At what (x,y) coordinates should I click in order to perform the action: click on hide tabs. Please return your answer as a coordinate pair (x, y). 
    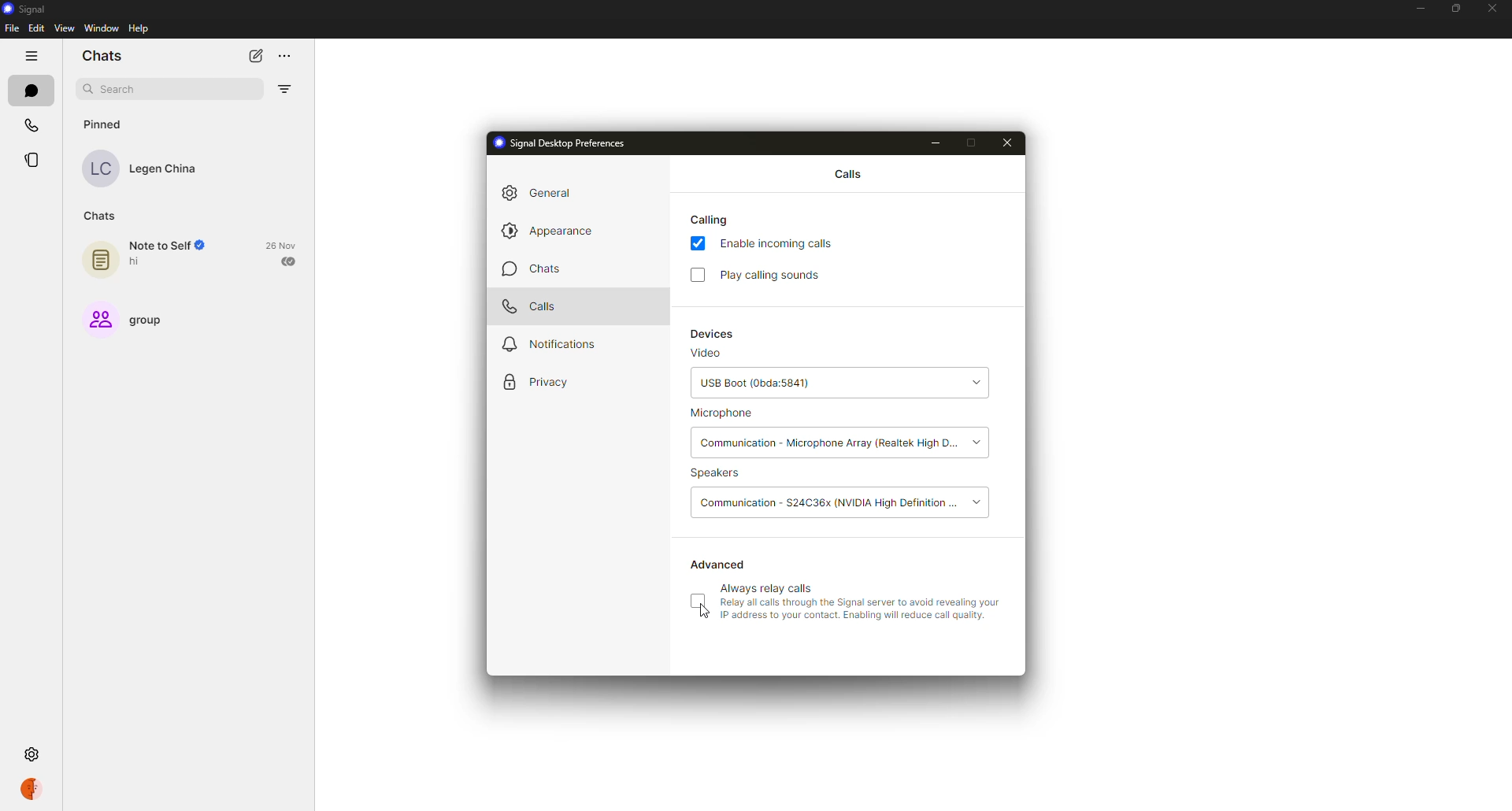
    Looking at the image, I should click on (31, 56).